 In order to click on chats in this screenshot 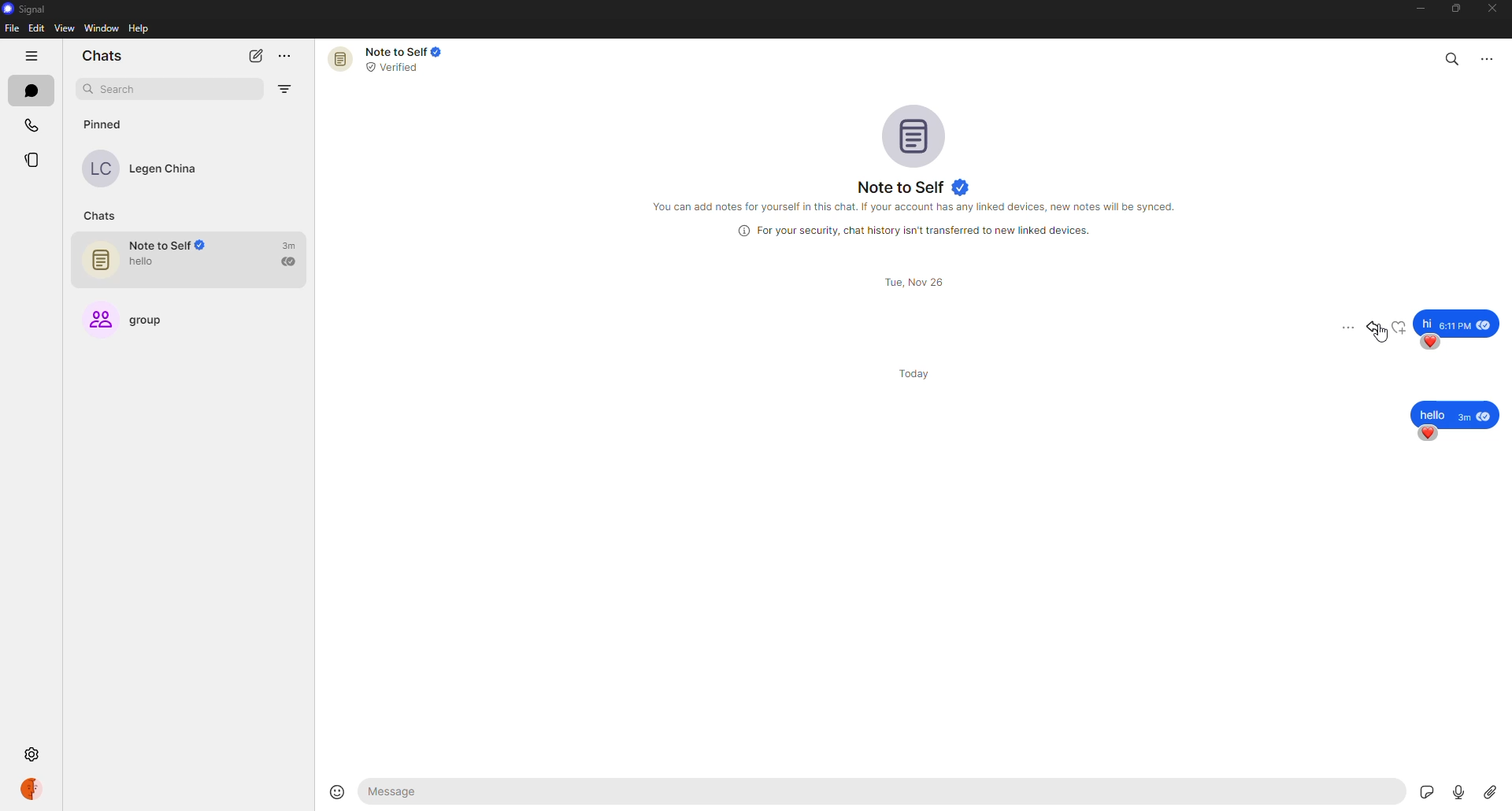, I will do `click(31, 91)`.